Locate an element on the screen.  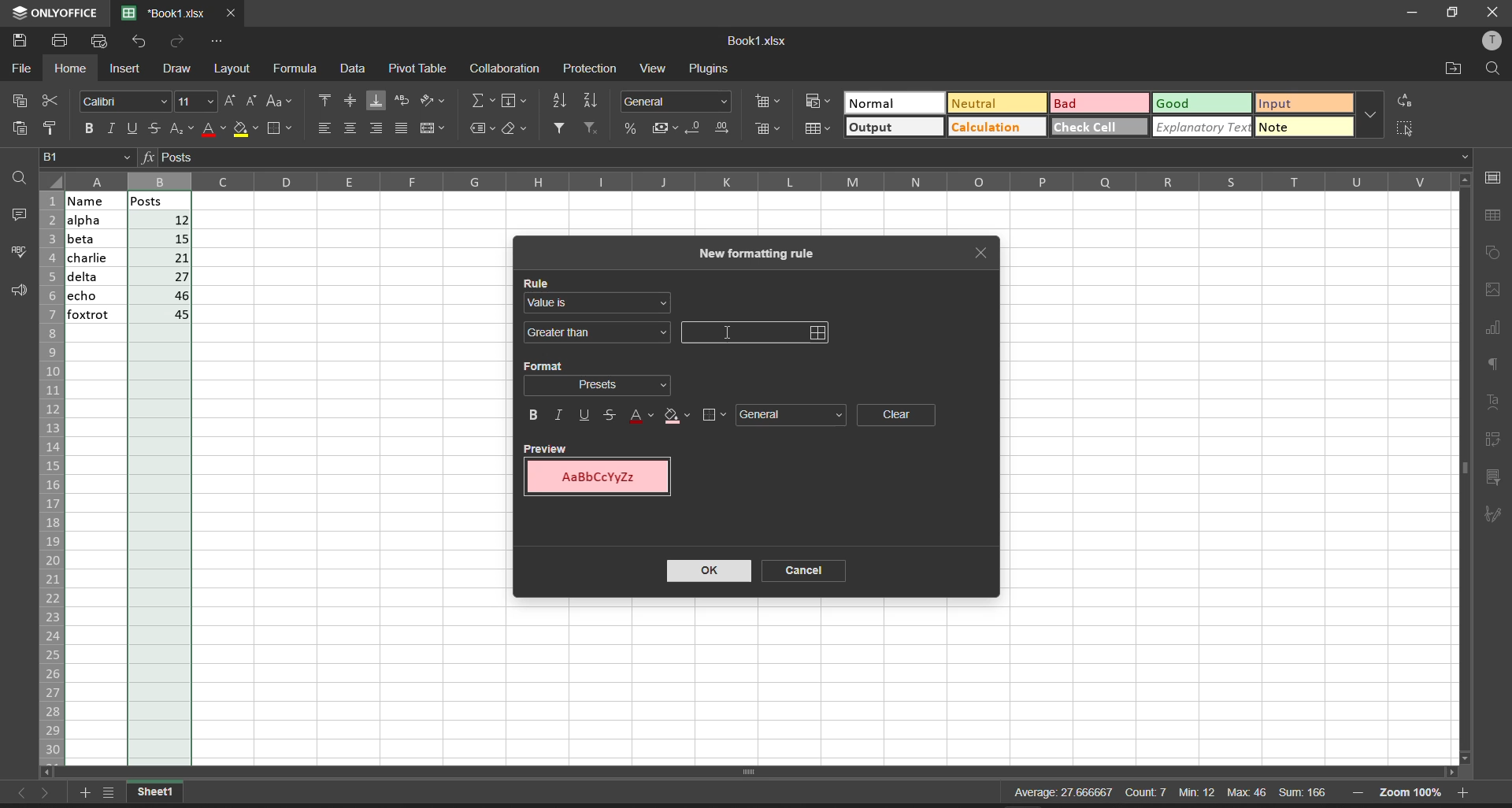
clear is located at coordinates (517, 127).